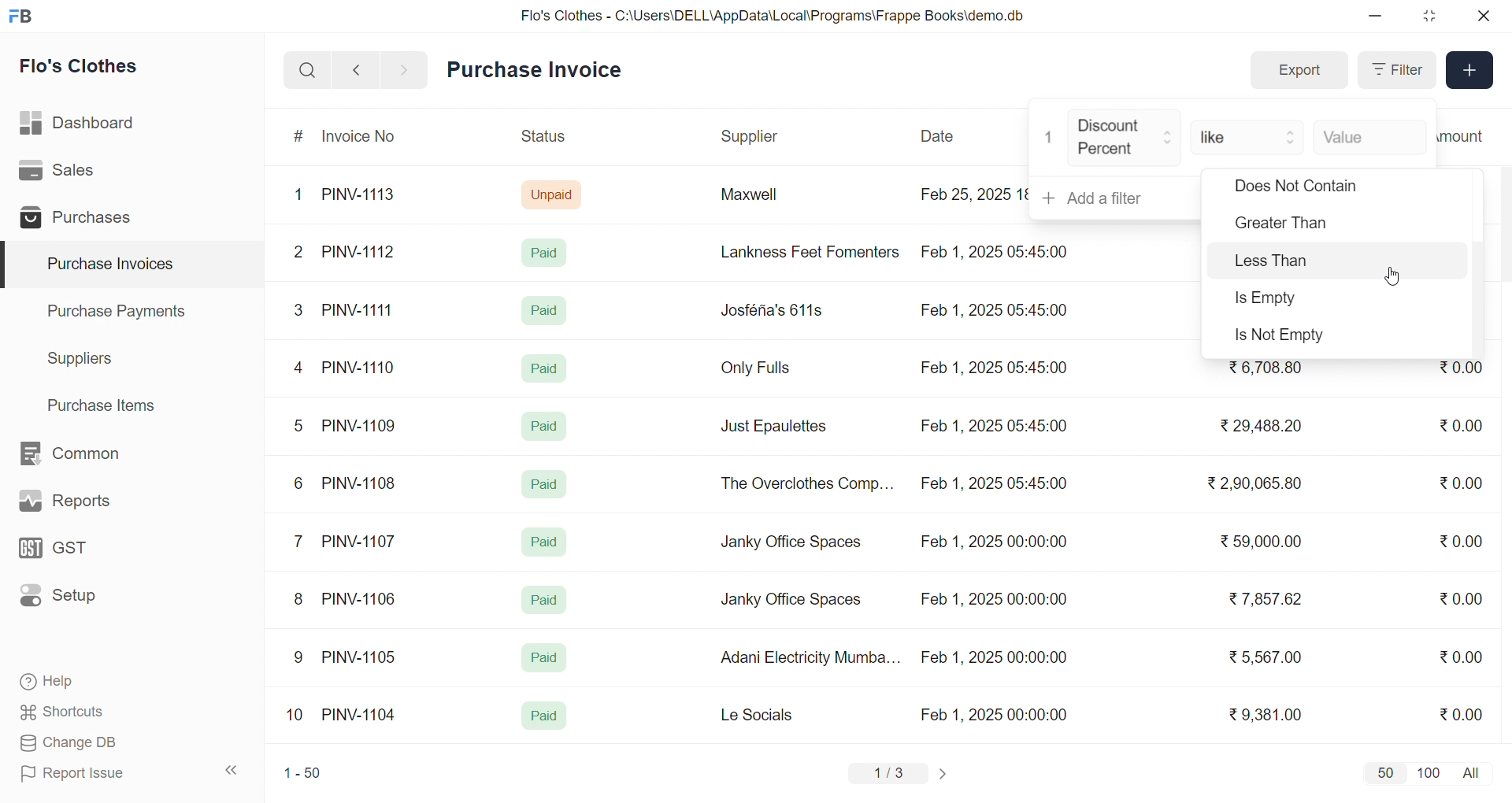 This screenshot has width=1512, height=803. What do you see at coordinates (299, 657) in the screenshot?
I see `9` at bounding box center [299, 657].